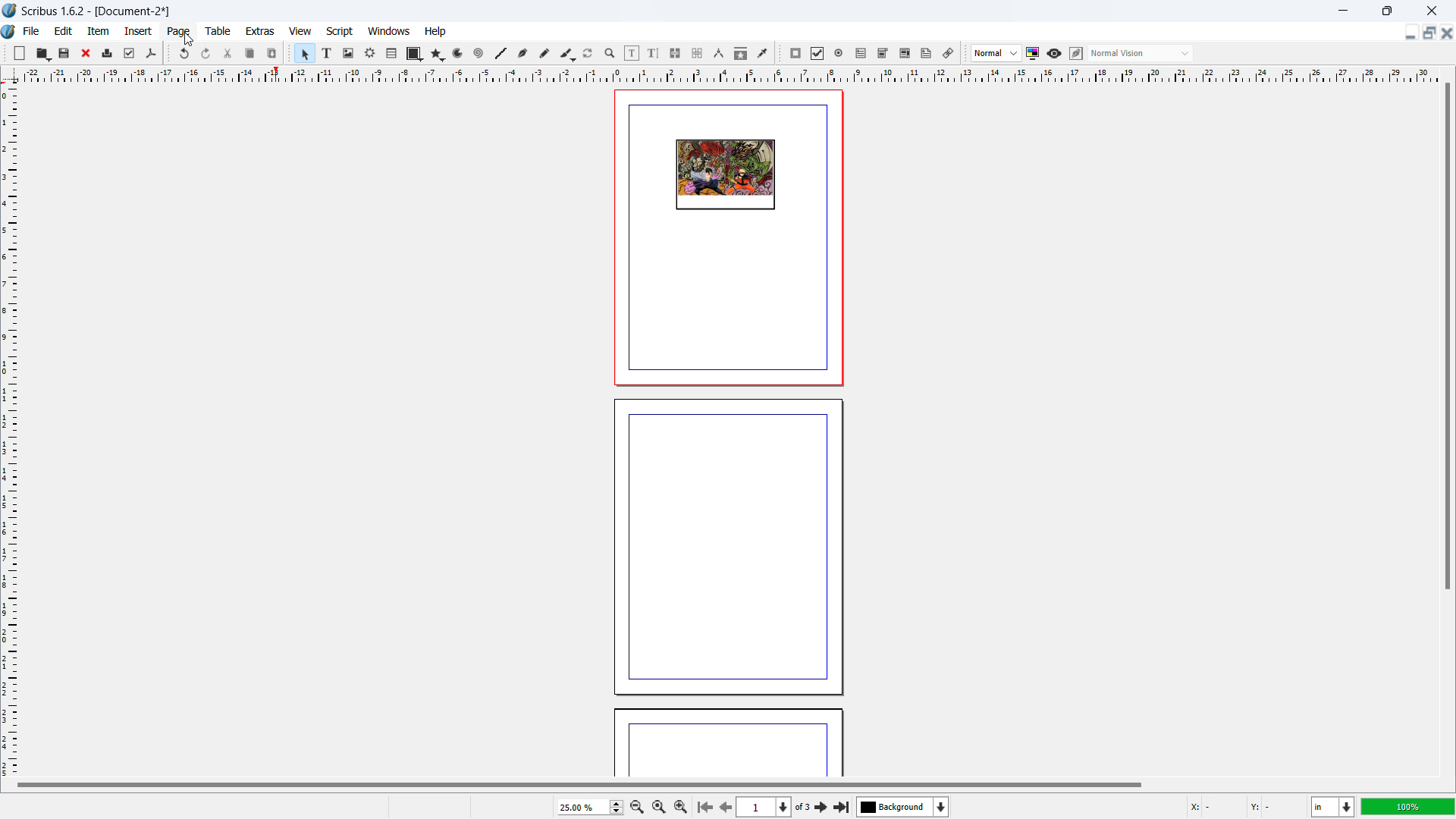 The width and height of the screenshot is (1456, 819). I want to click on pdf push button, so click(795, 53).